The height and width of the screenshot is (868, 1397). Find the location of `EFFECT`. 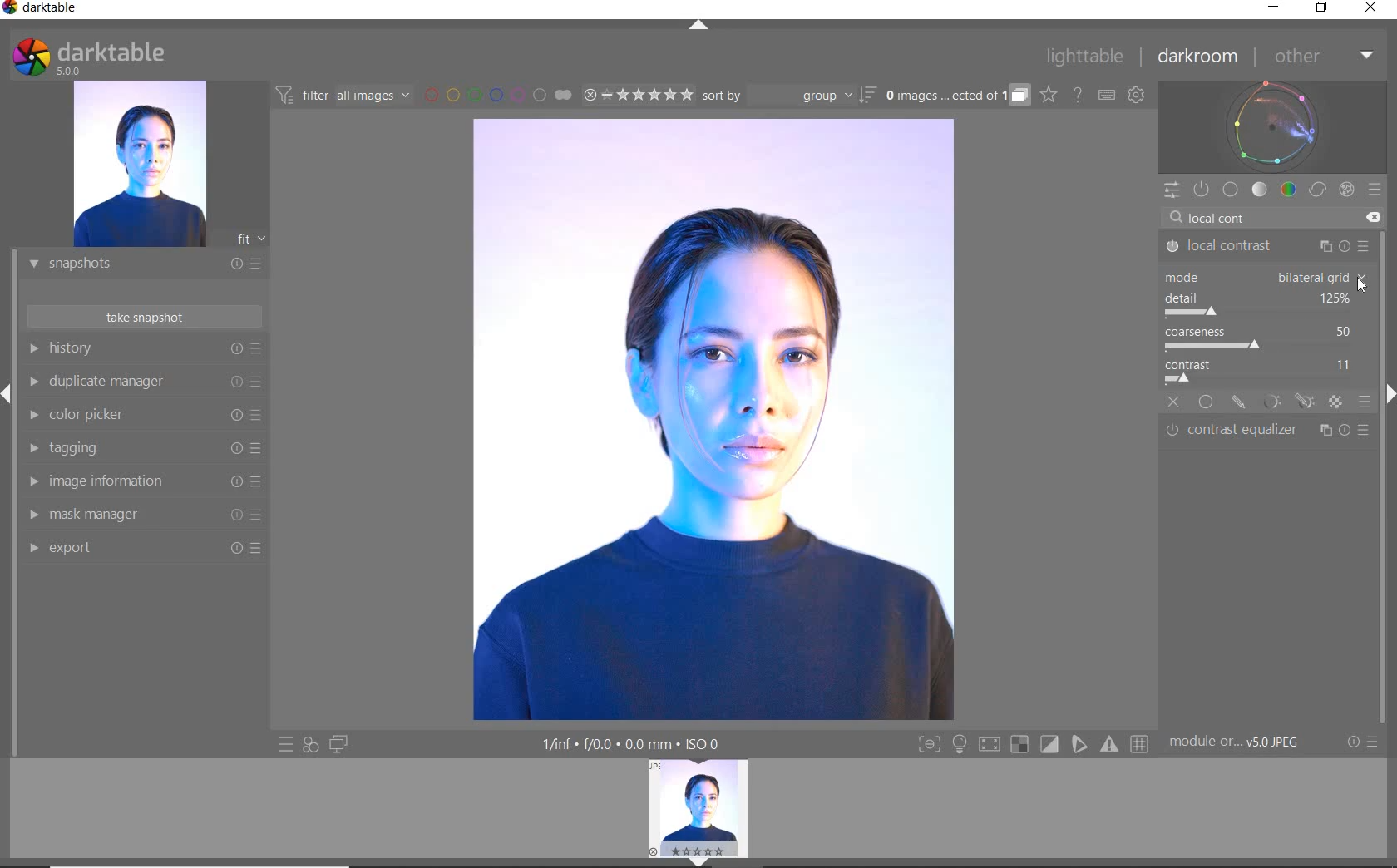

EFFECT is located at coordinates (1346, 189).